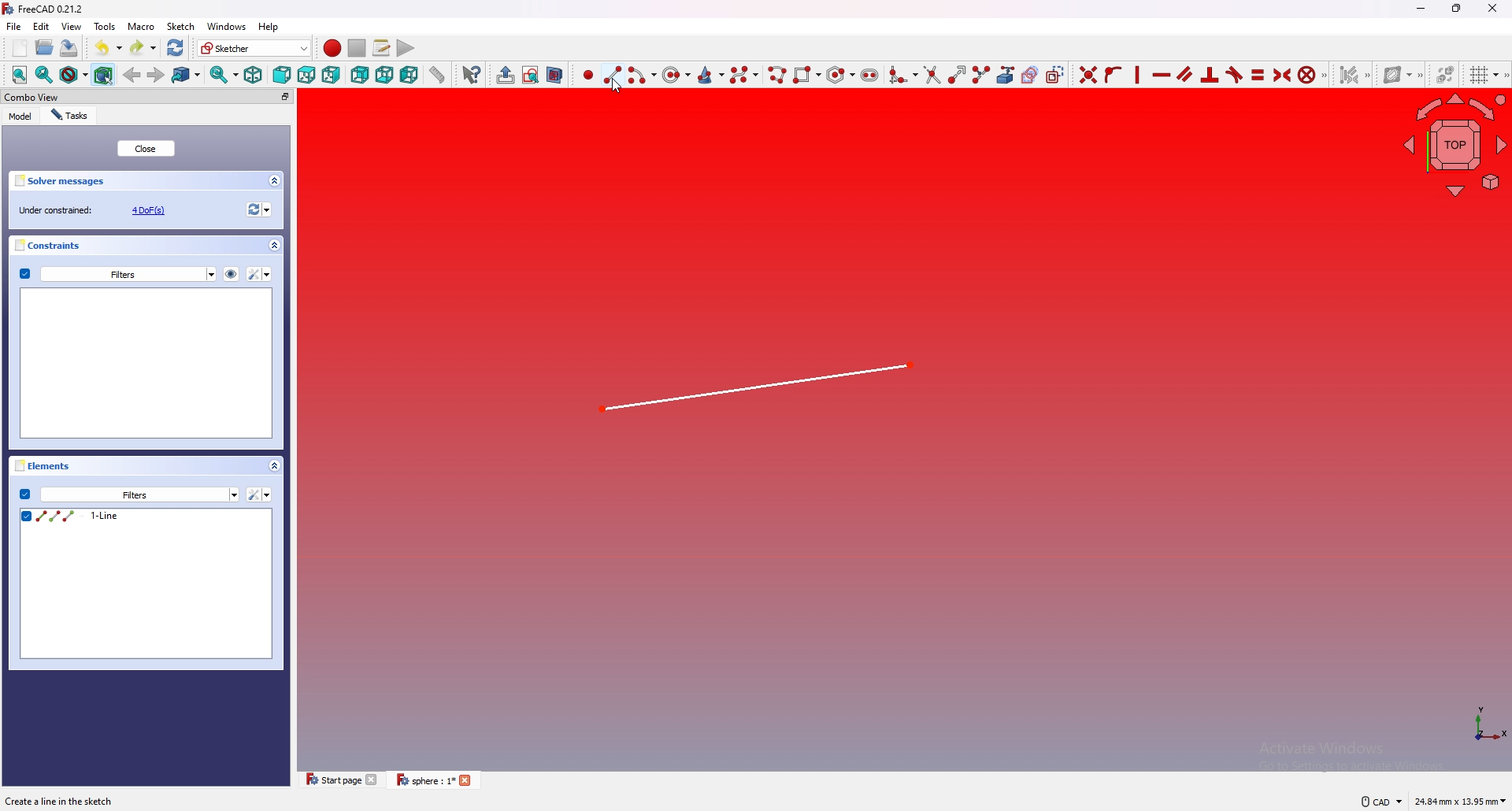 This screenshot has width=1512, height=811. Describe the element at coordinates (43, 48) in the screenshot. I see `Open...` at that location.